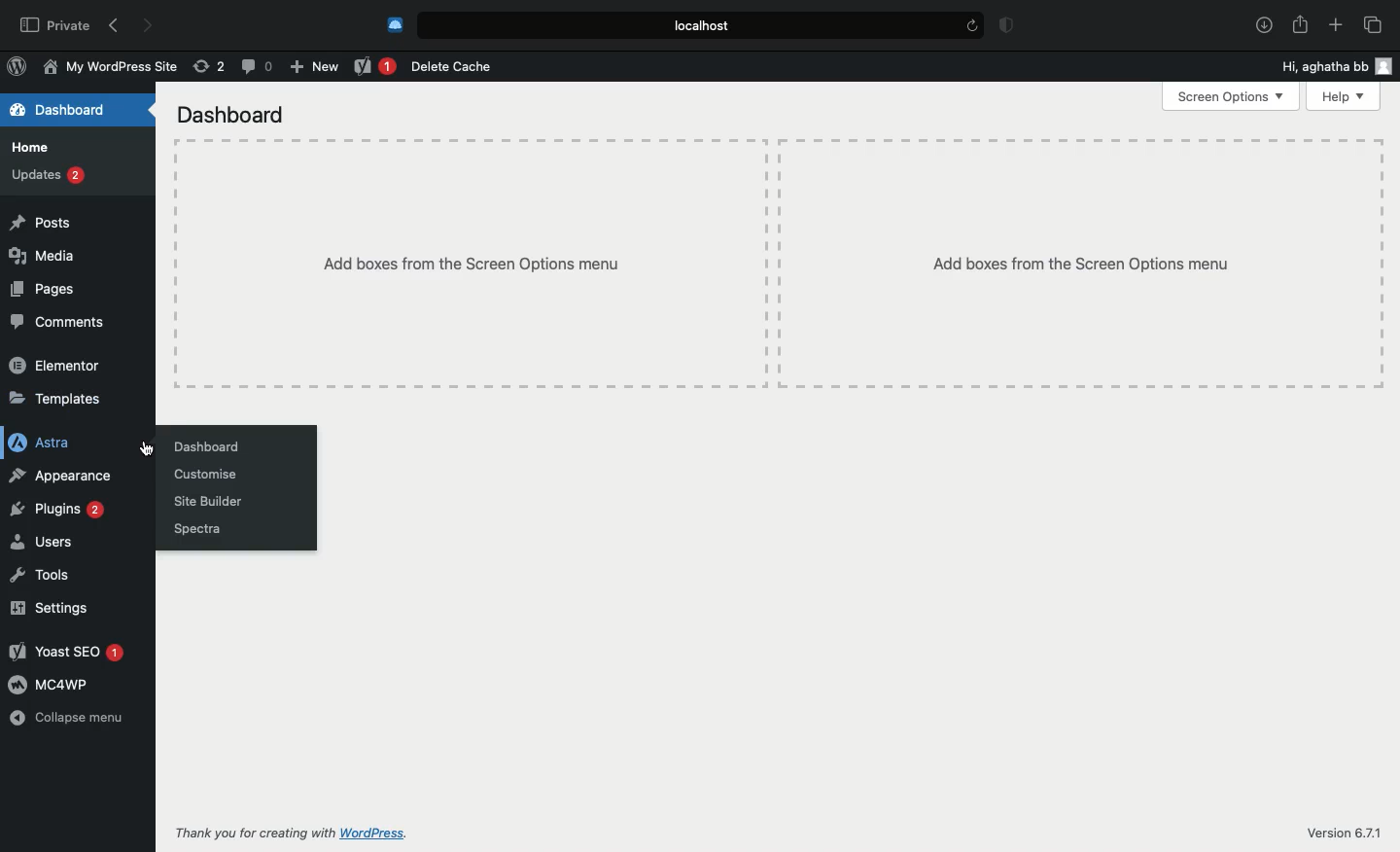 This screenshot has width=1400, height=852. I want to click on cursor, so click(145, 447).